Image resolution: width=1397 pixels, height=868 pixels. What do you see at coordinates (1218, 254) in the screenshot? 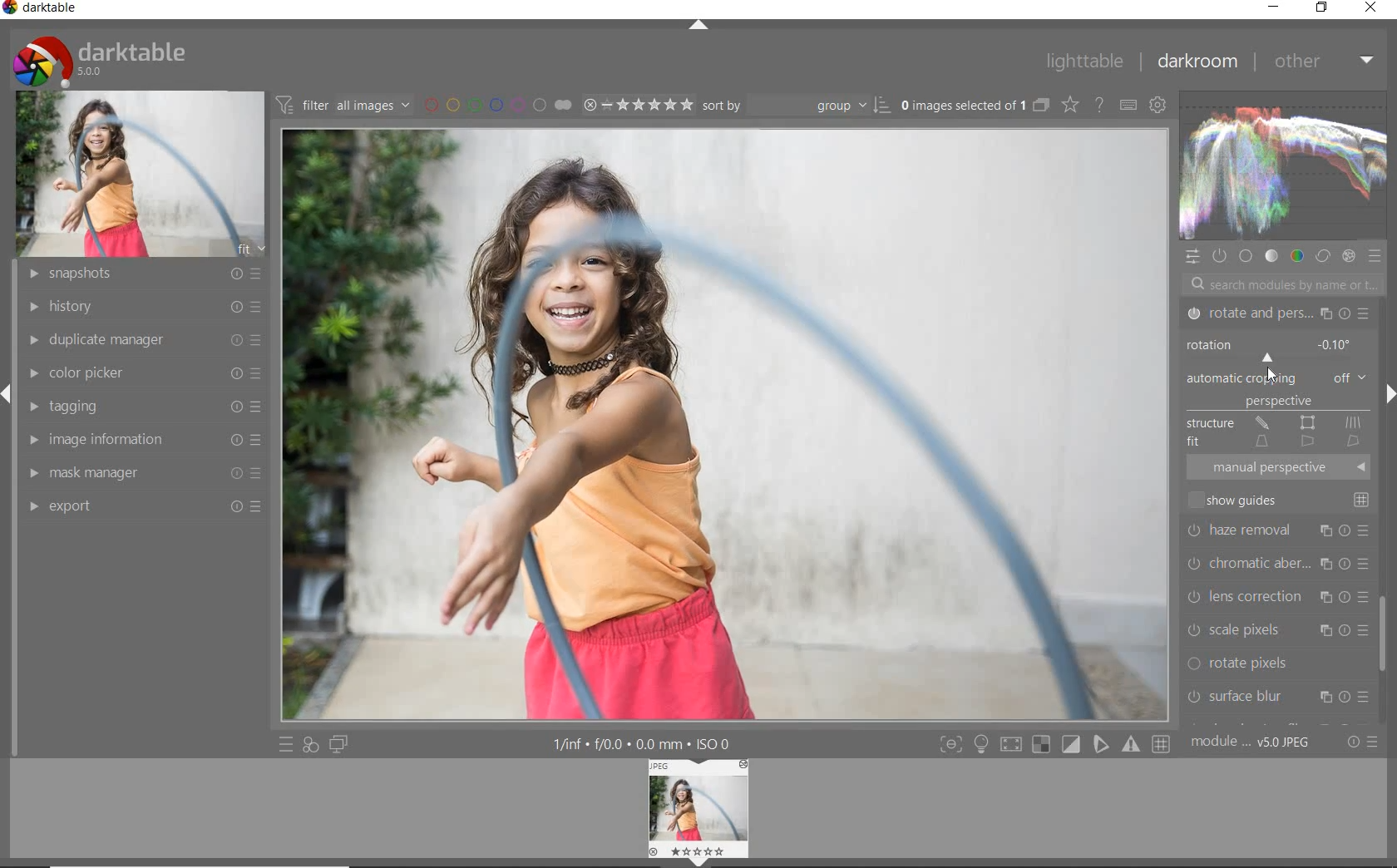
I see `show only active module` at bounding box center [1218, 254].